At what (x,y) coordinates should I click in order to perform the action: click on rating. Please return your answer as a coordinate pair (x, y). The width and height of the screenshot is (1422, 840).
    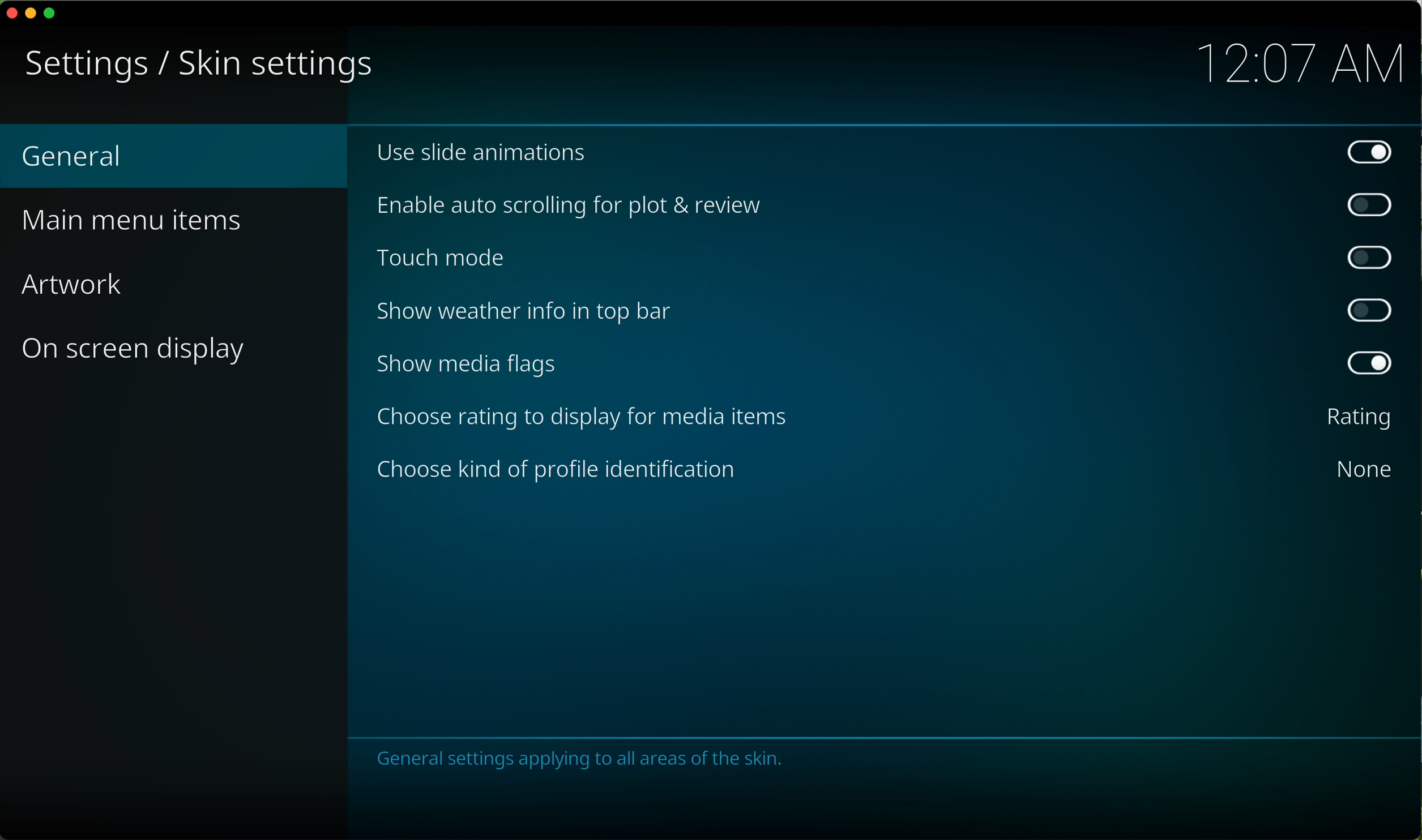
    Looking at the image, I should click on (1356, 419).